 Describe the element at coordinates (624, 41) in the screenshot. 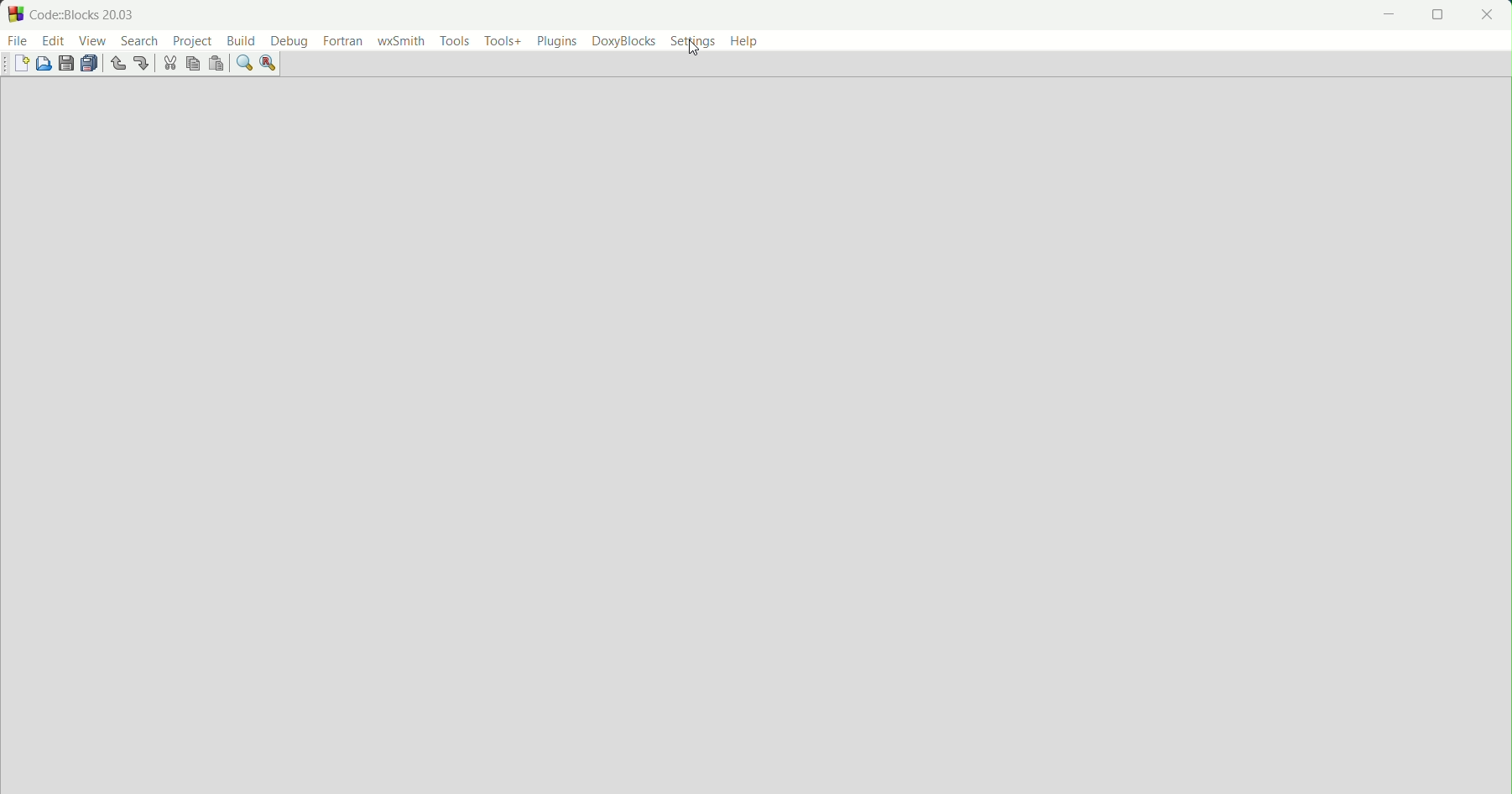

I see `doxyblocks` at that location.